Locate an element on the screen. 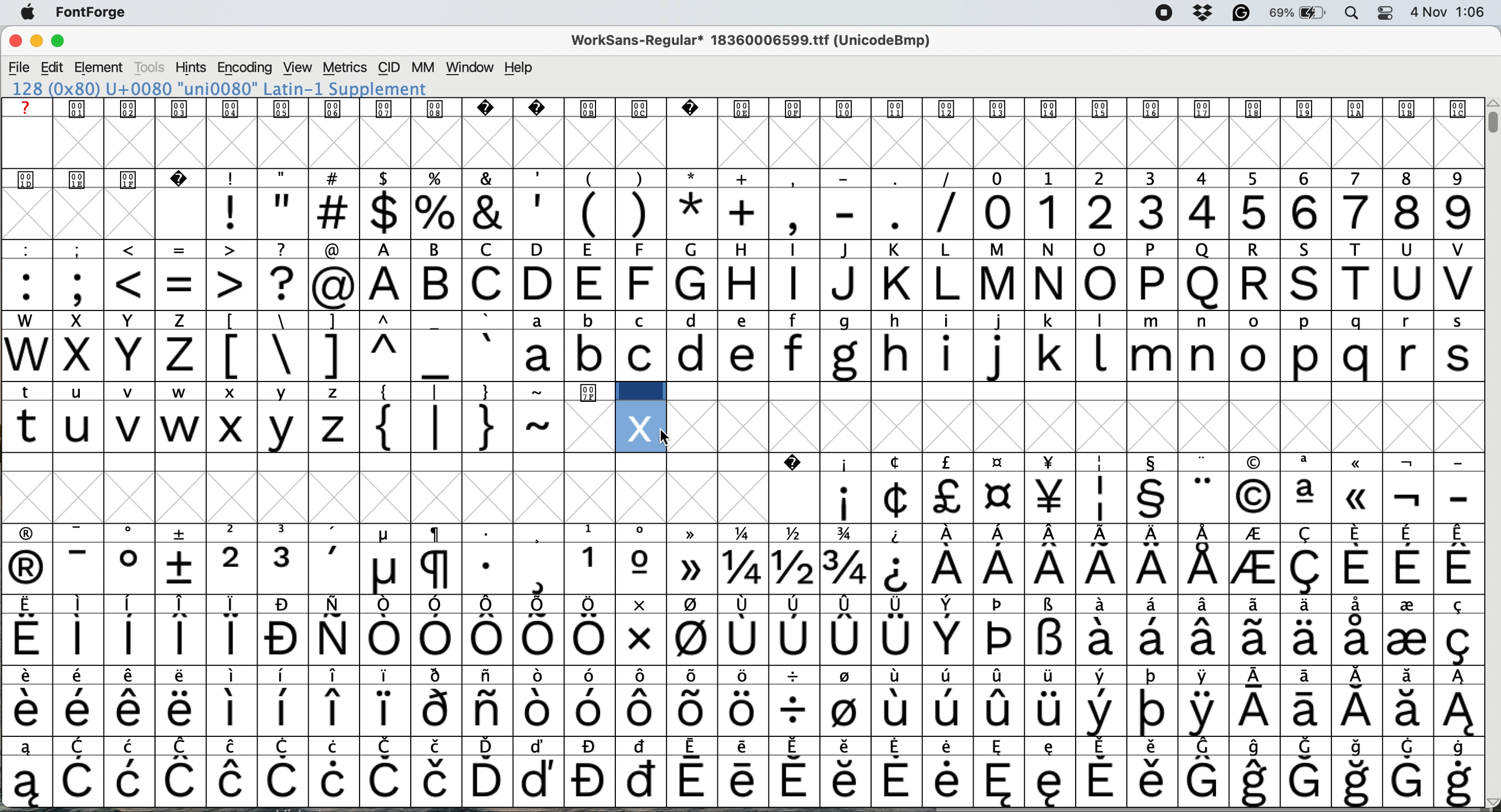 The image size is (1501, 812). capital letters w to z is located at coordinates (100, 357).